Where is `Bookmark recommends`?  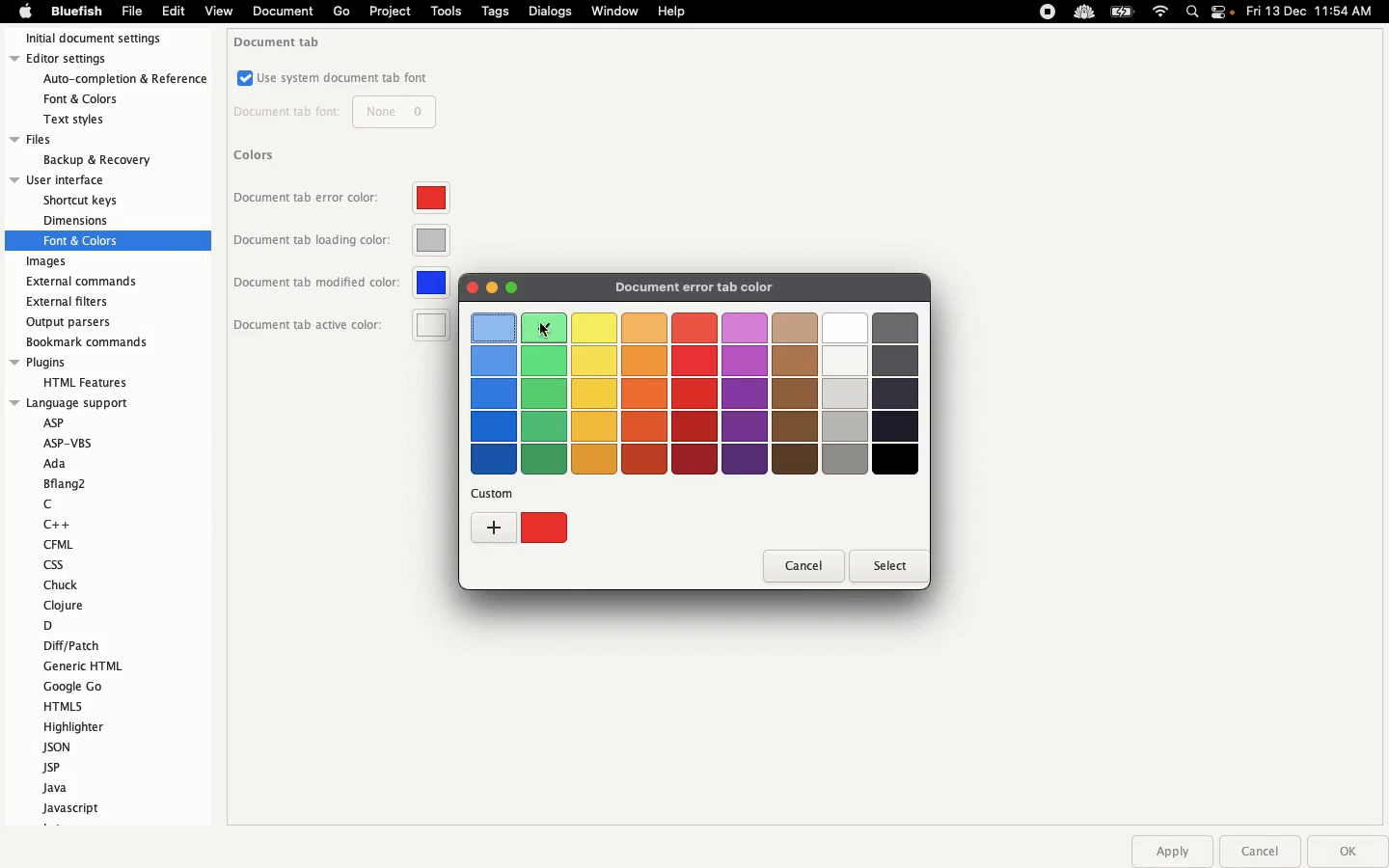
Bookmark recommends is located at coordinates (89, 340).